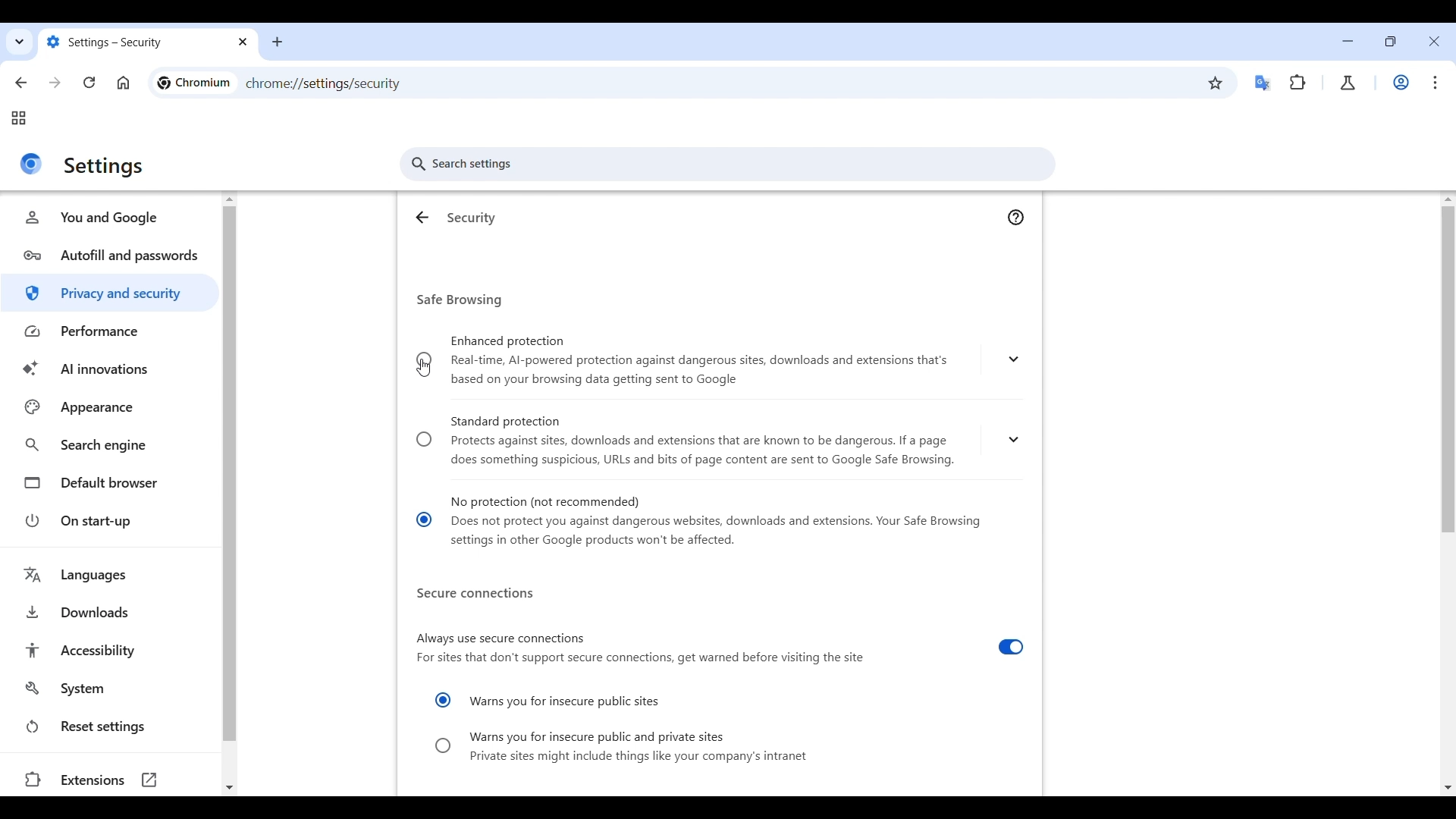 The height and width of the screenshot is (819, 1456). I want to click on Minimize, so click(1348, 41).